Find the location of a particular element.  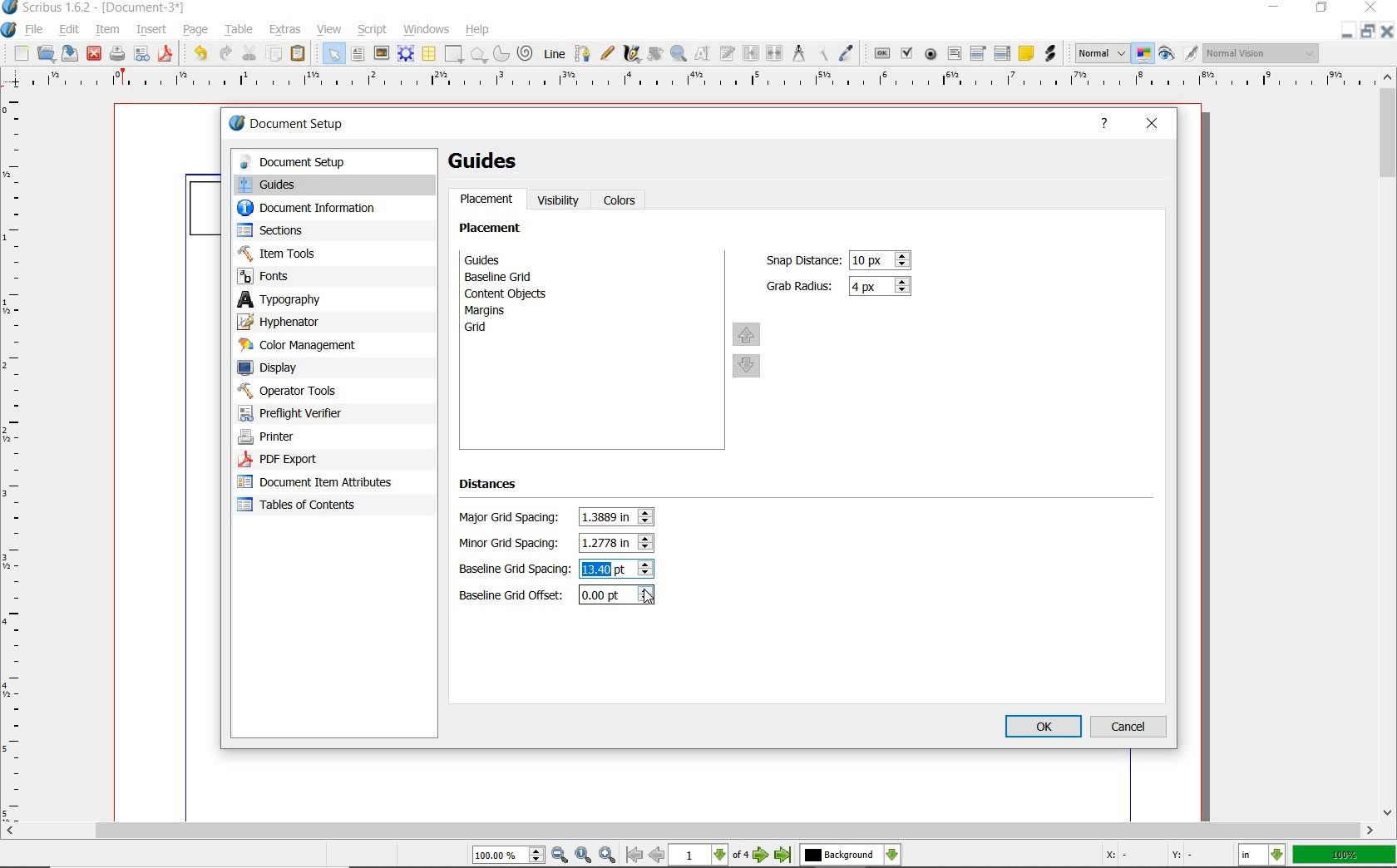

rotate item is located at coordinates (654, 55).